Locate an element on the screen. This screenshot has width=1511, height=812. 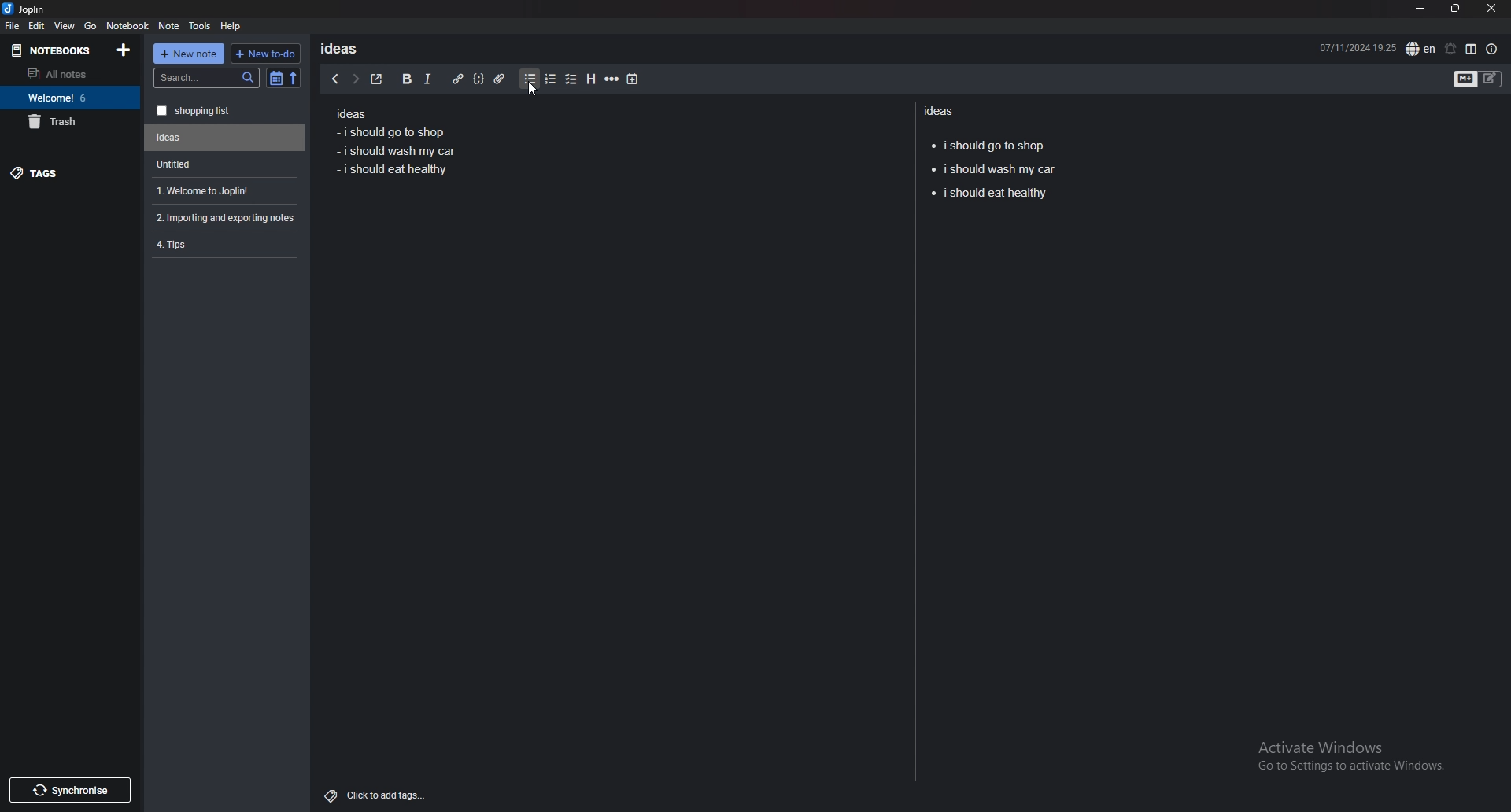
notebook is located at coordinates (127, 24).